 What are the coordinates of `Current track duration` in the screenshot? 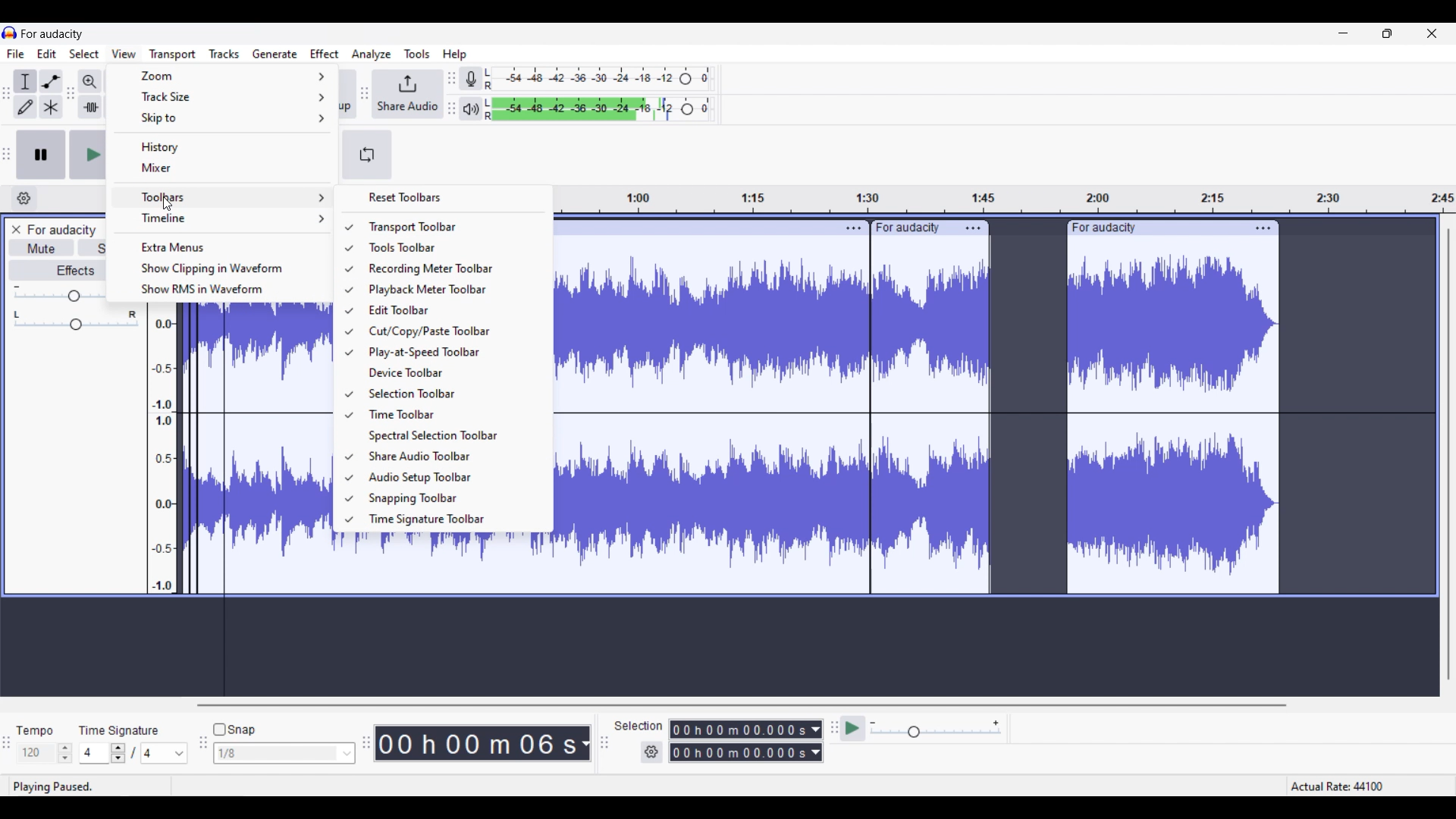 It's located at (477, 743).